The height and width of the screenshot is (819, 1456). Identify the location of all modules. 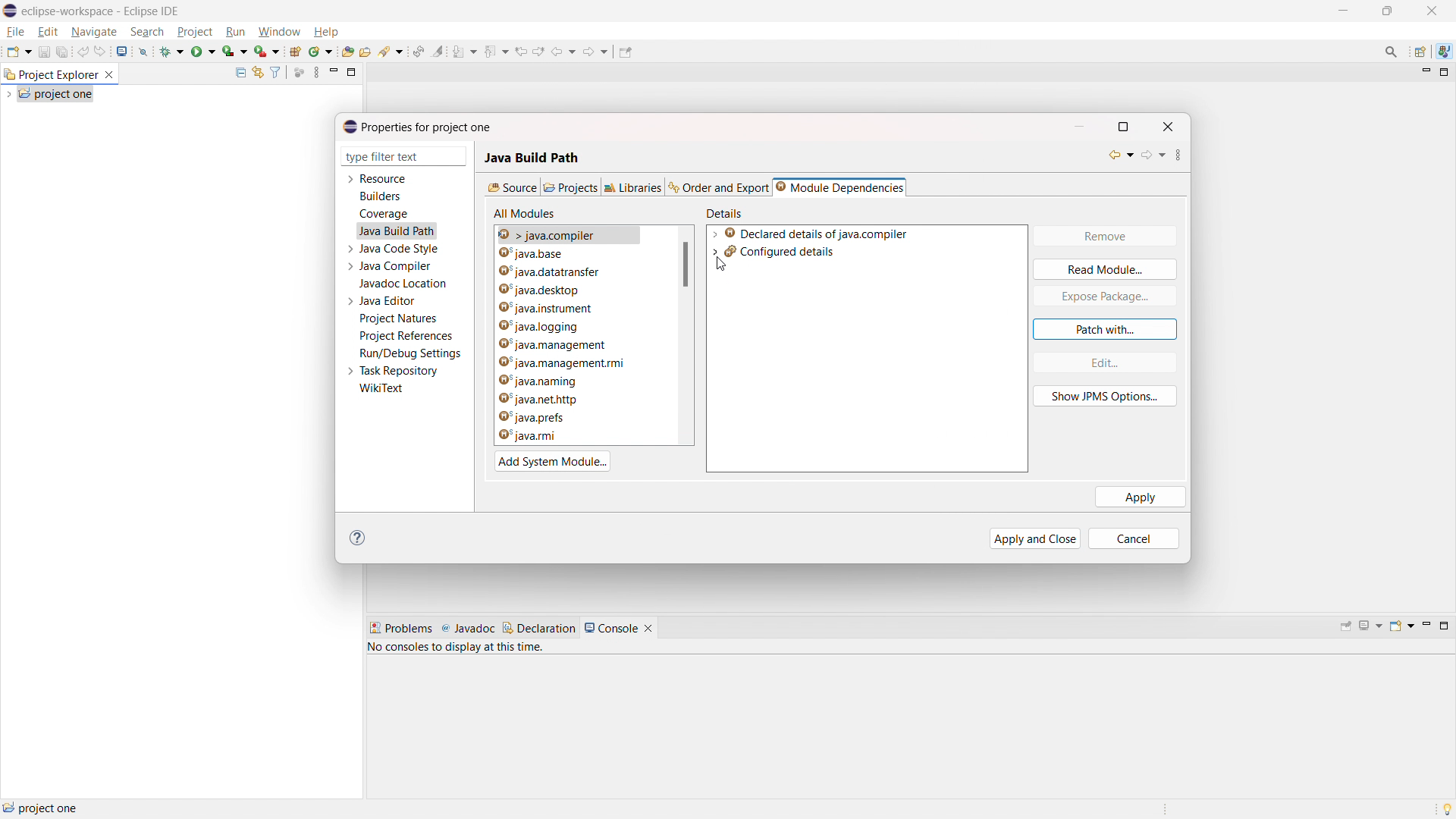
(526, 213).